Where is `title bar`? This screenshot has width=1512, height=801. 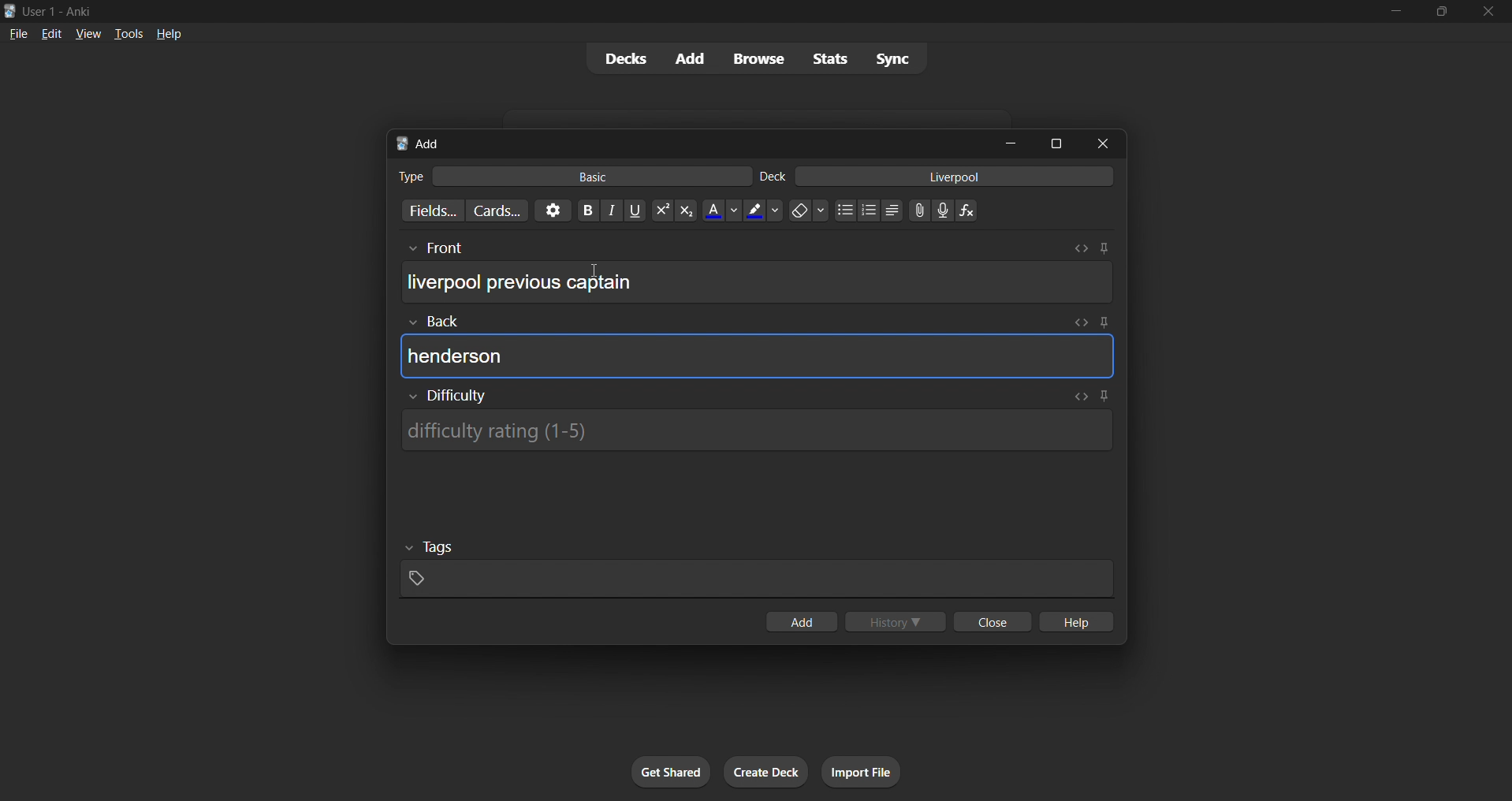 title bar is located at coordinates (681, 9).